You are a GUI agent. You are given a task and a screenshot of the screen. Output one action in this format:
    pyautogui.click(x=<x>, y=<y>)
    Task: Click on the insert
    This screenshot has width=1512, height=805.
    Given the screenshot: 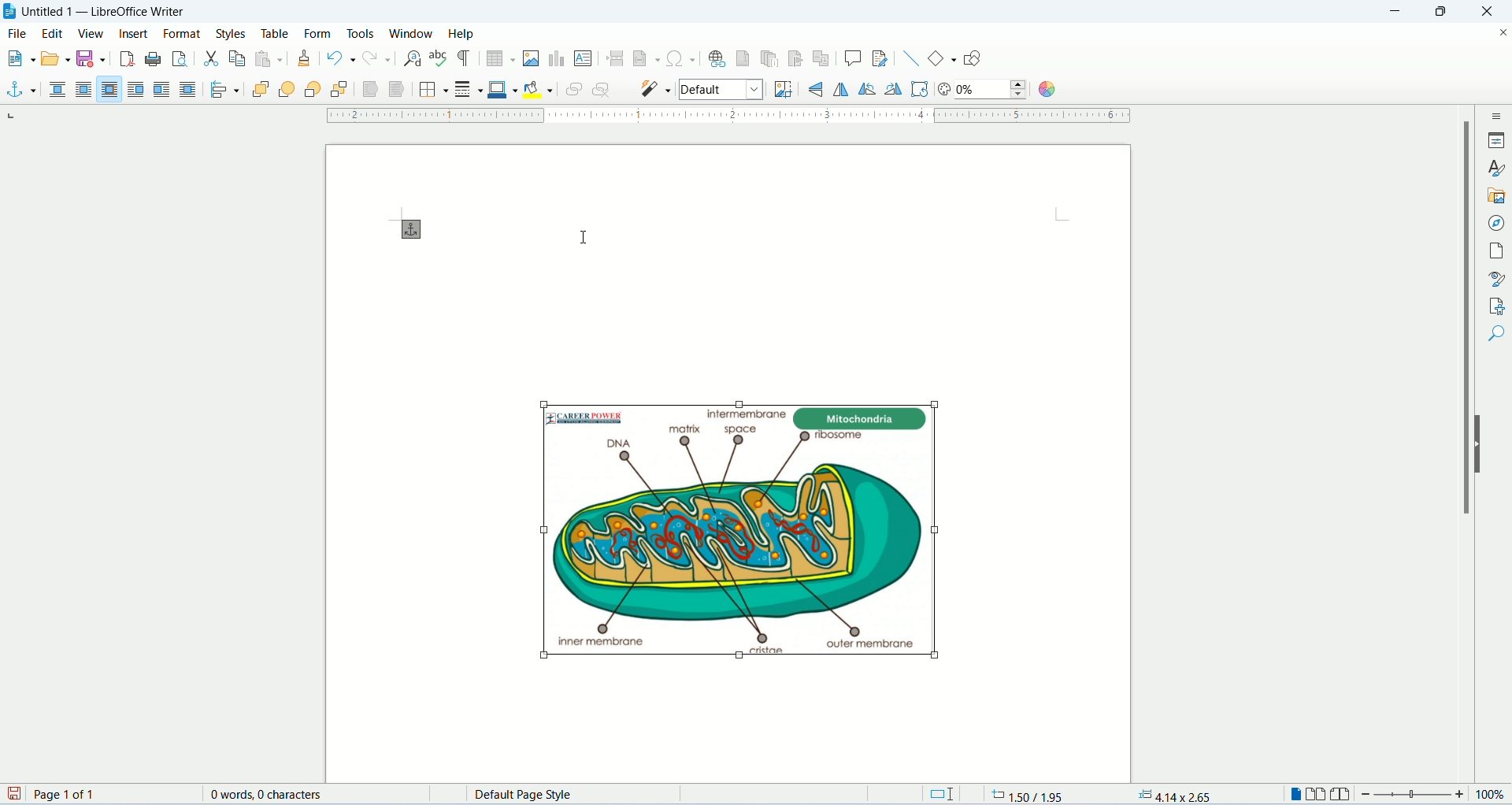 What is the action you would take?
    pyautogui.click(x=136, y=32)
    